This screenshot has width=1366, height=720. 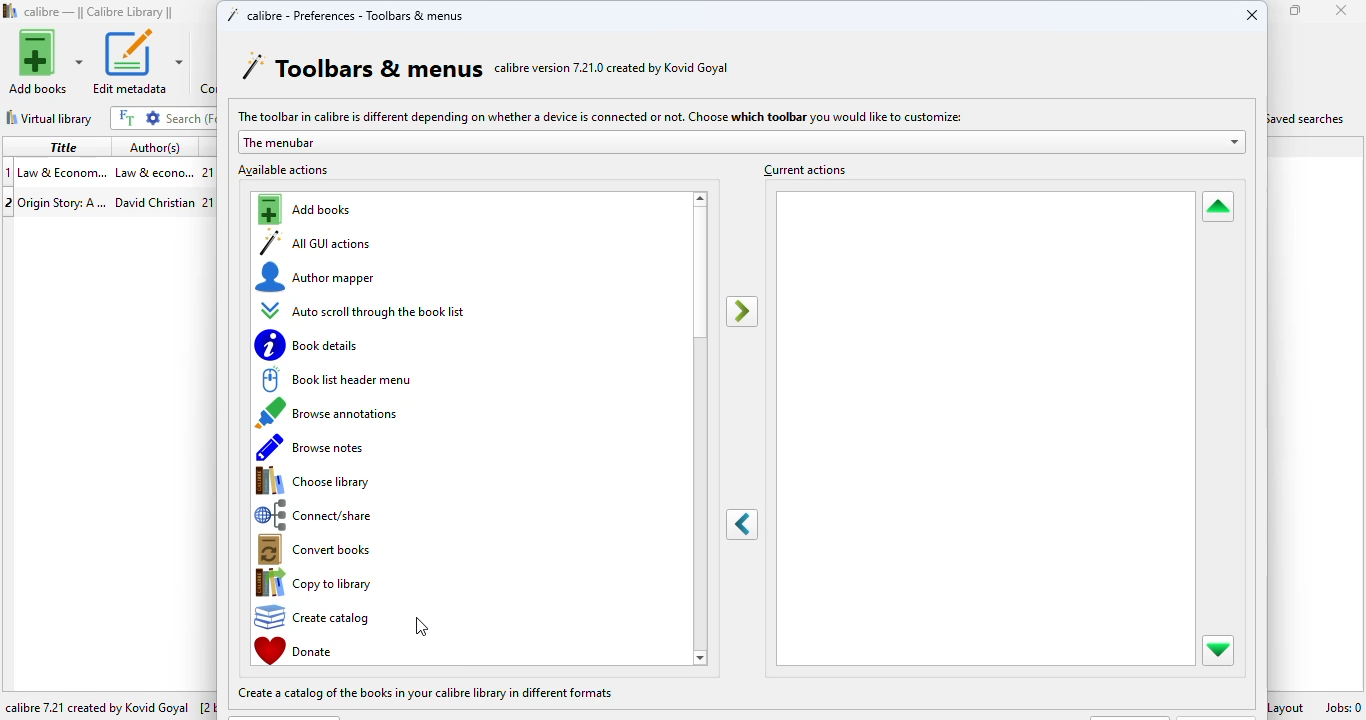 What do you see at coordinates (126, 117) in the screenshot?
I see `full text search` at bounding box center [126, 117].